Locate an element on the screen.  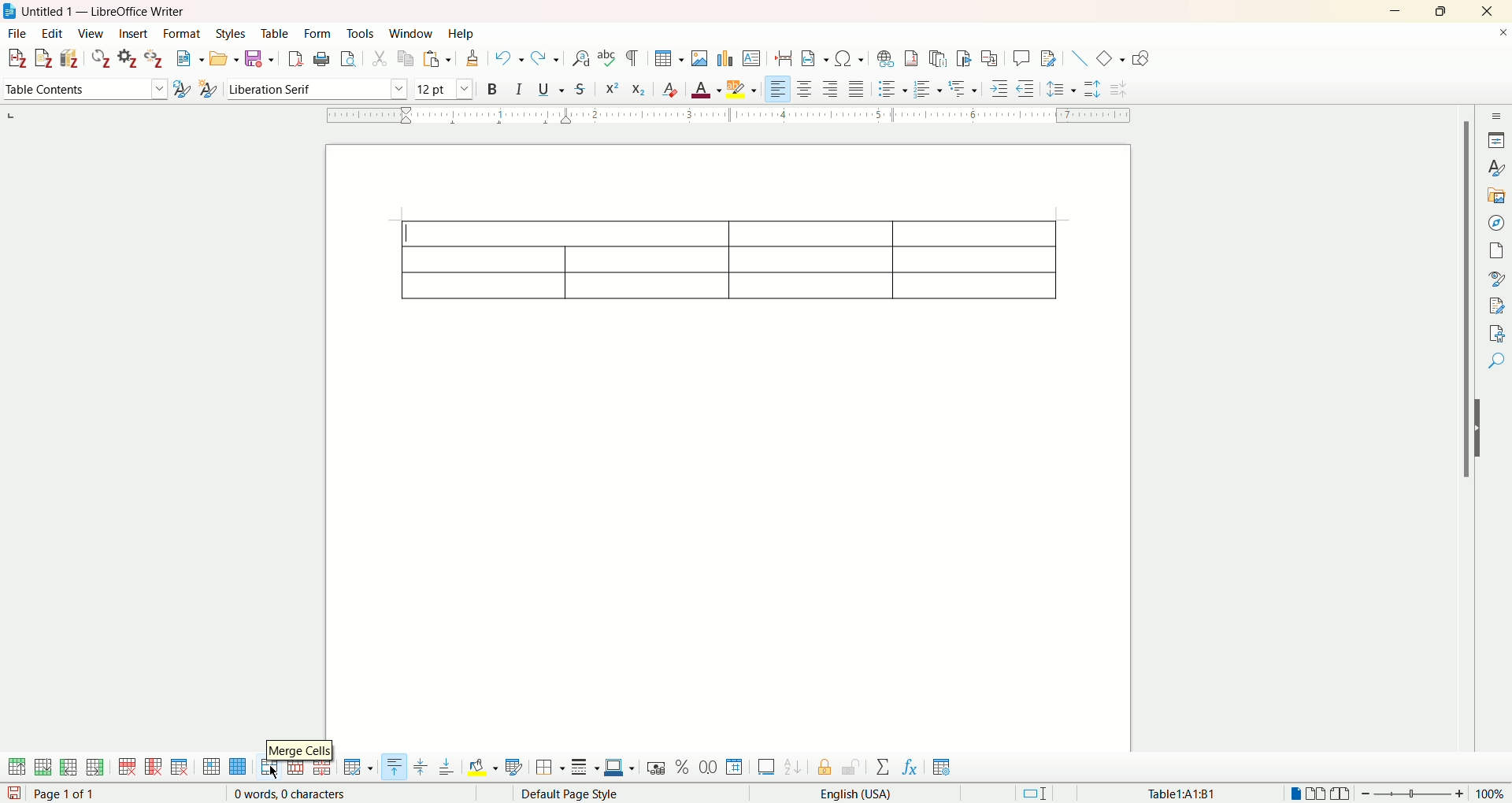
insert row above is located at coordinates (17, 764).